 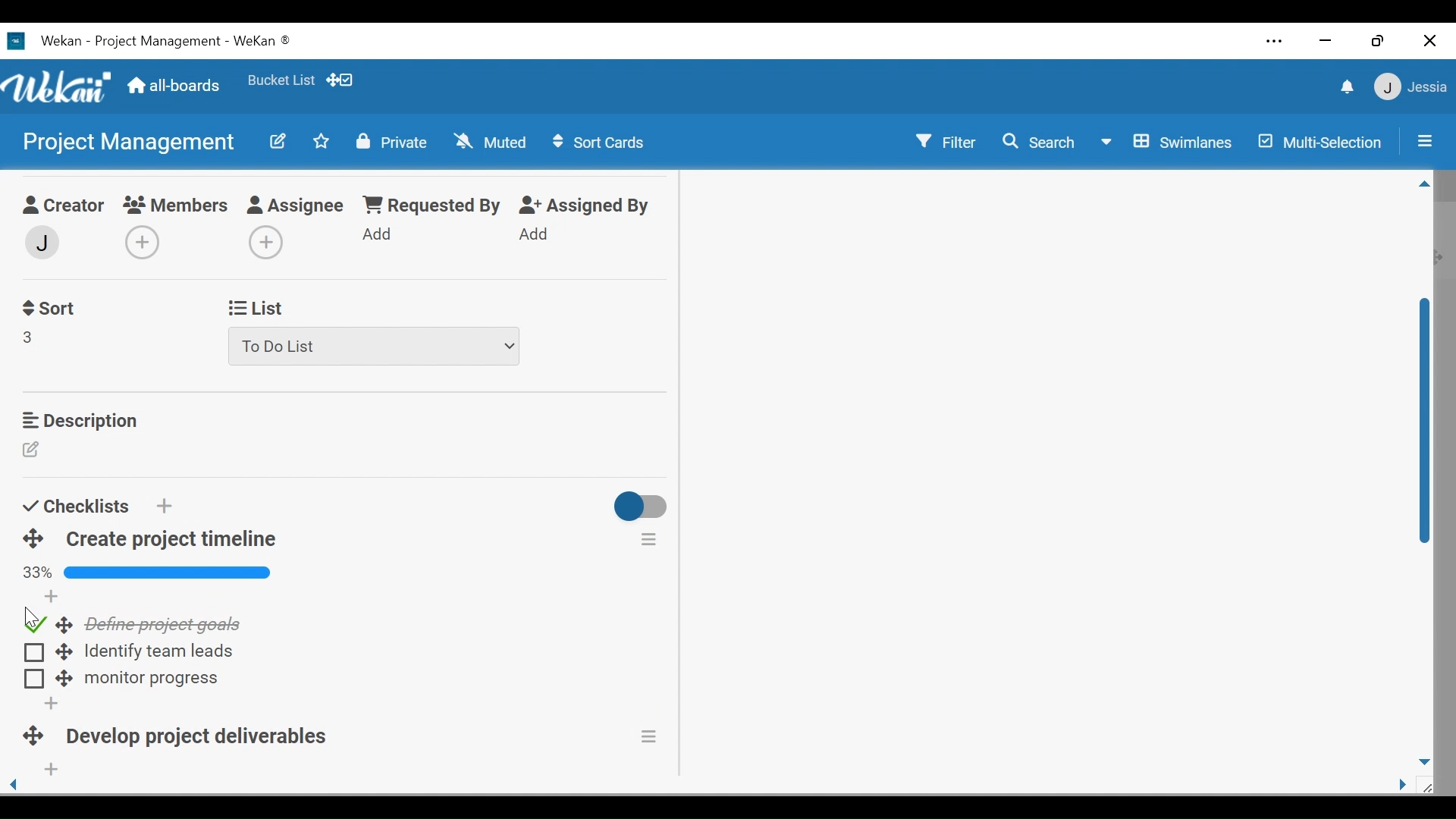 I want to click on (un)check , so click(x=33, y=623).